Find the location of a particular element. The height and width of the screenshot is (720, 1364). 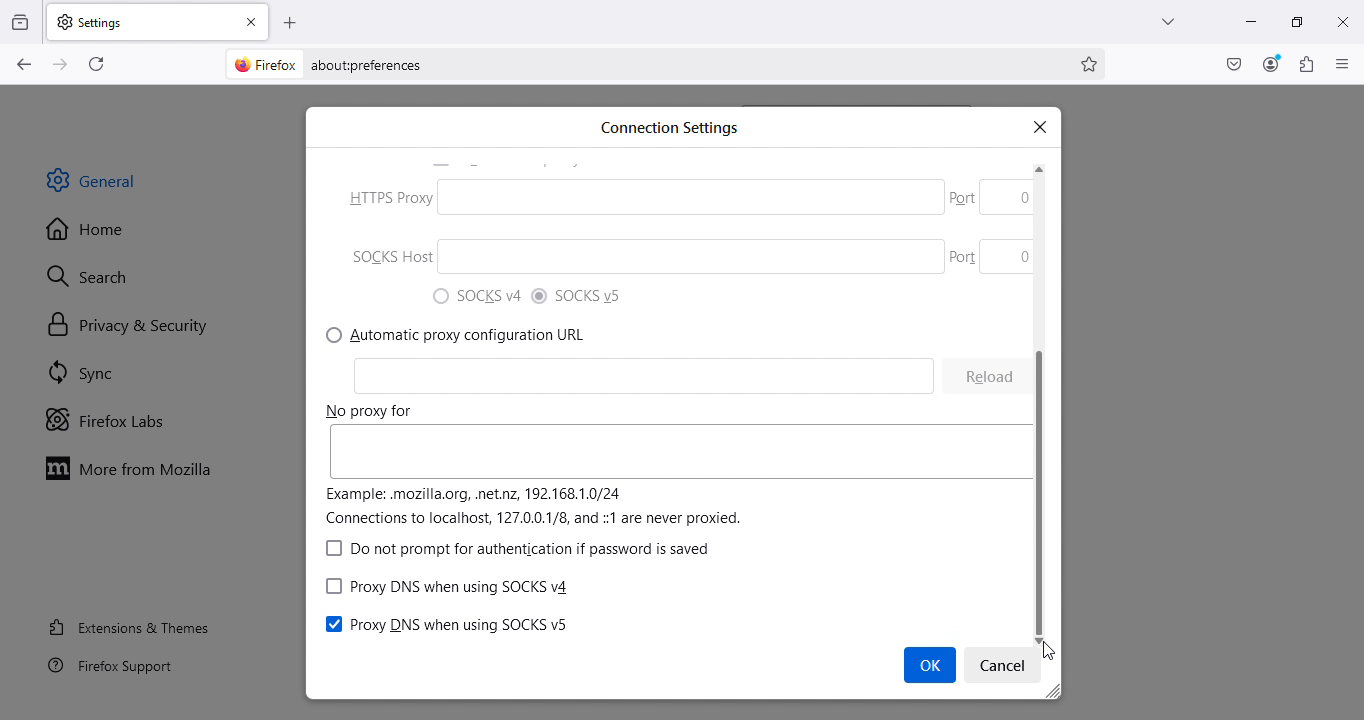

SOCKS Host is located at coordinates (635, 260).